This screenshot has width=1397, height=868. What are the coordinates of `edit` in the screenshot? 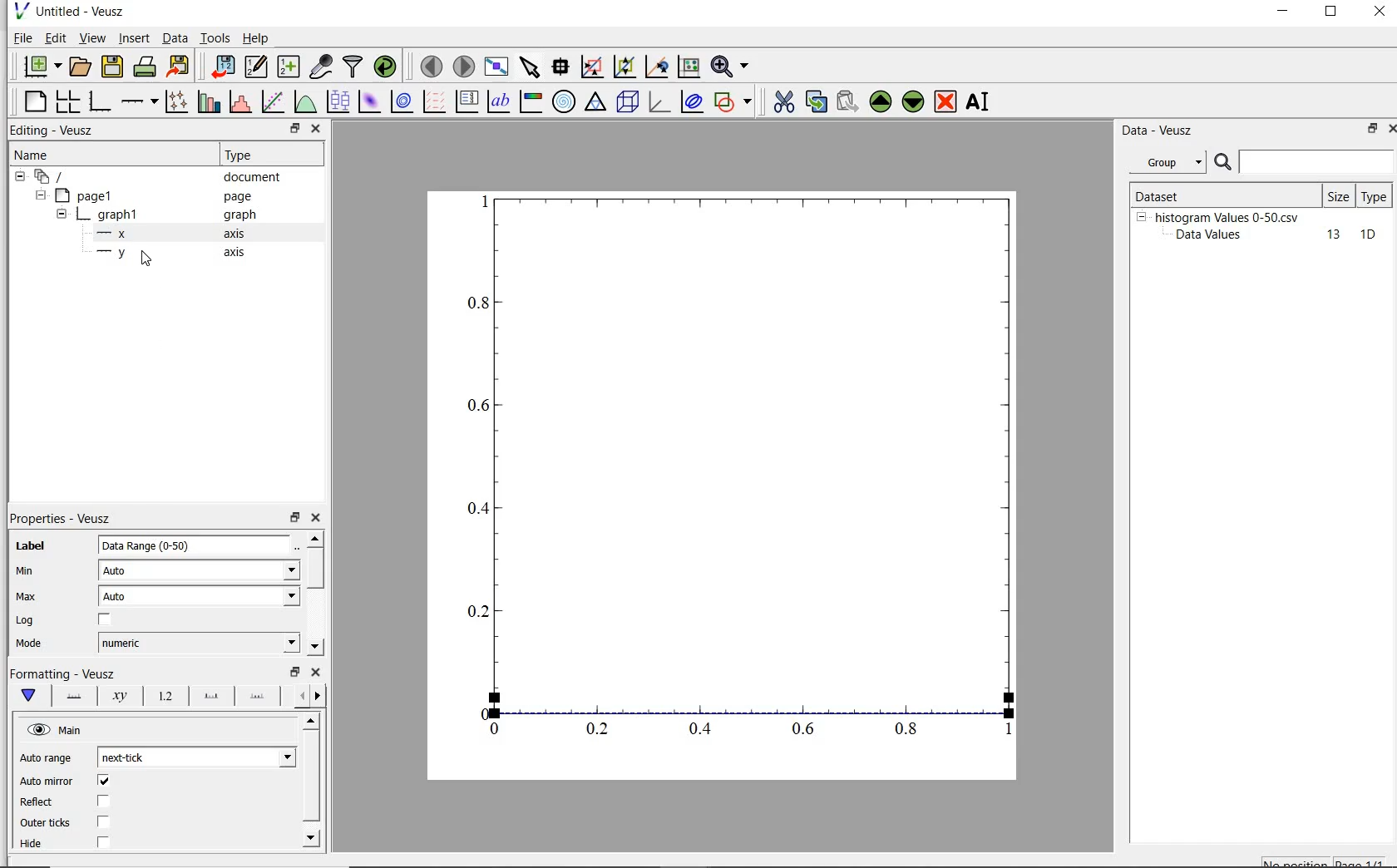 It's located at (56, 37).